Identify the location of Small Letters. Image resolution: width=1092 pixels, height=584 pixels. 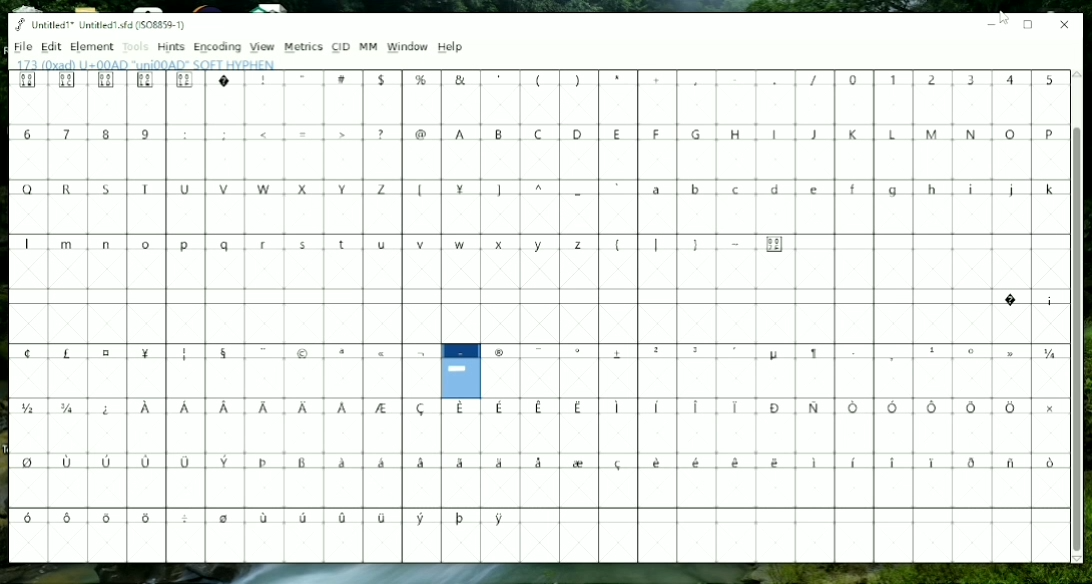
(853, 191).